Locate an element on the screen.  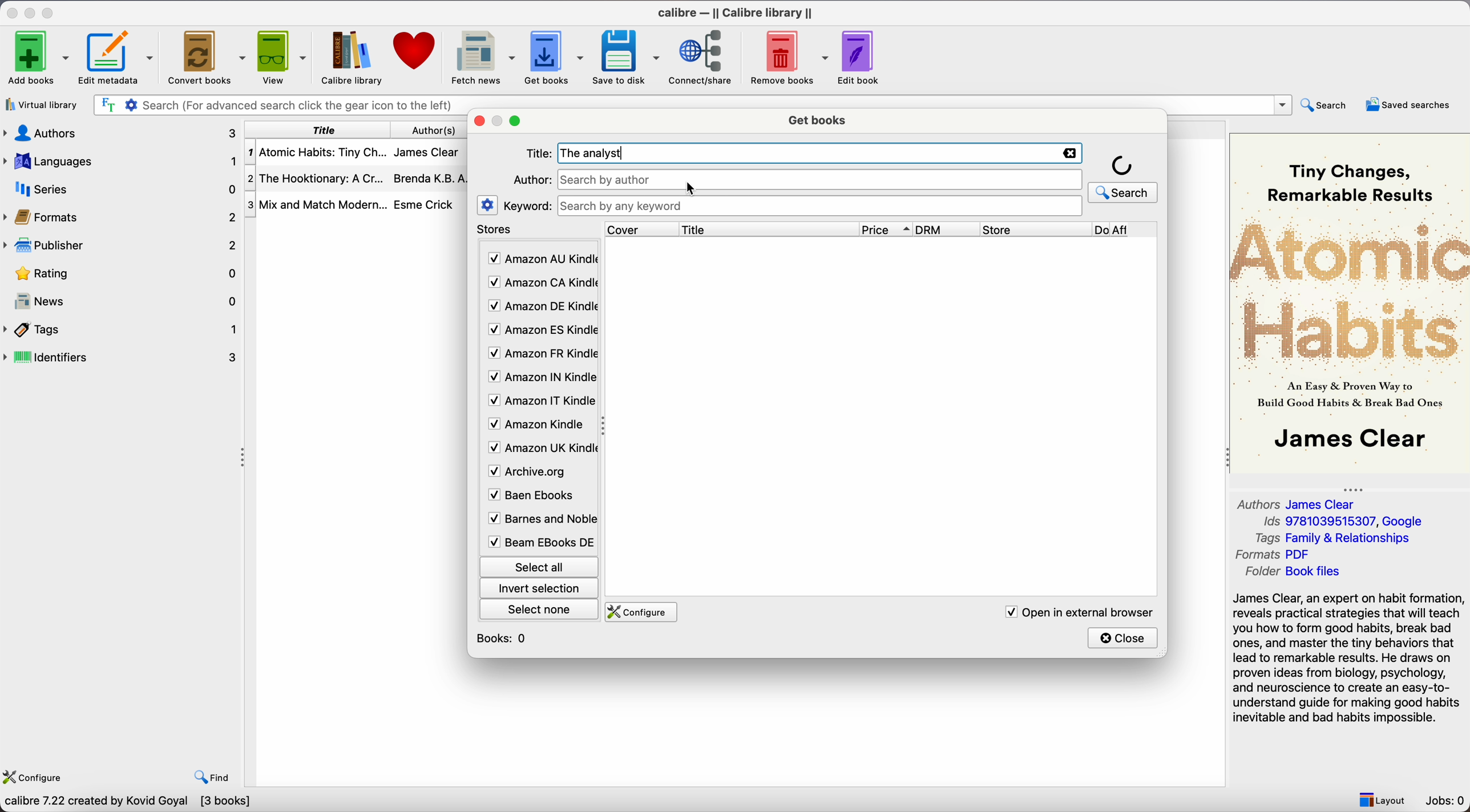
store is located at coordinates (1035, 229).